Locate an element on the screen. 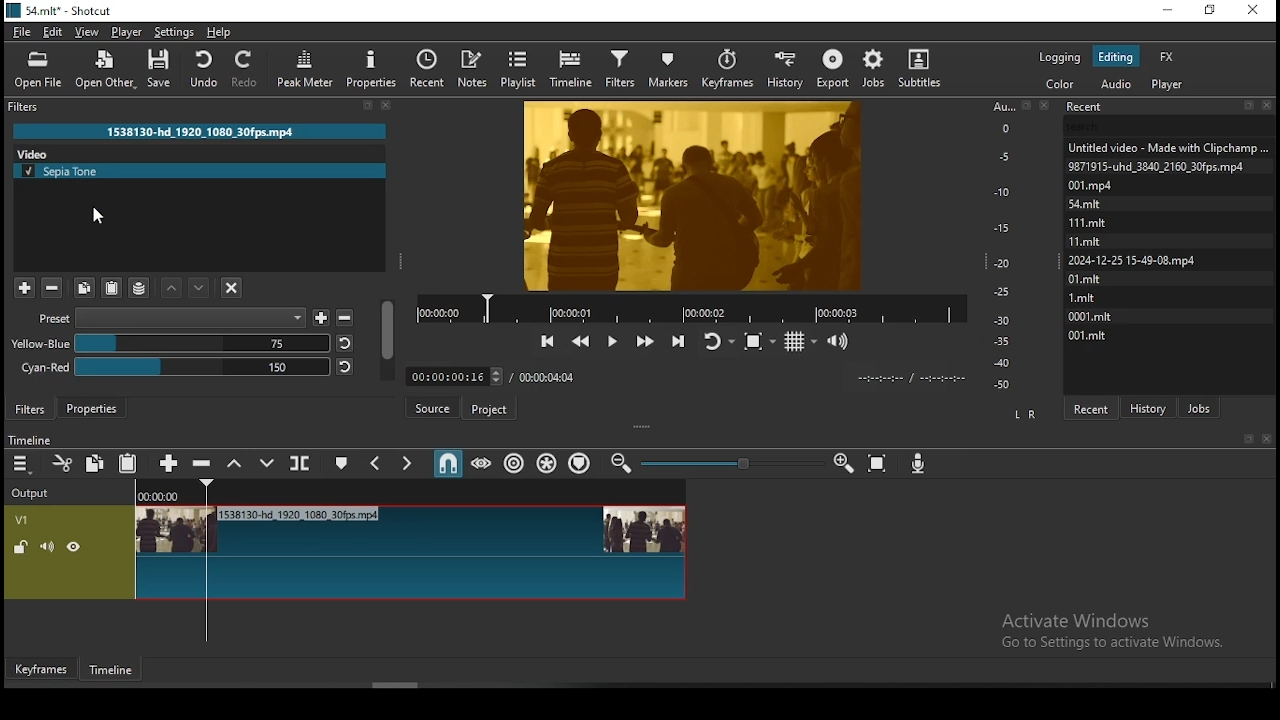 The height and width of the screenshot is (720, 1280). timeline is located at coordinates (572, 68).